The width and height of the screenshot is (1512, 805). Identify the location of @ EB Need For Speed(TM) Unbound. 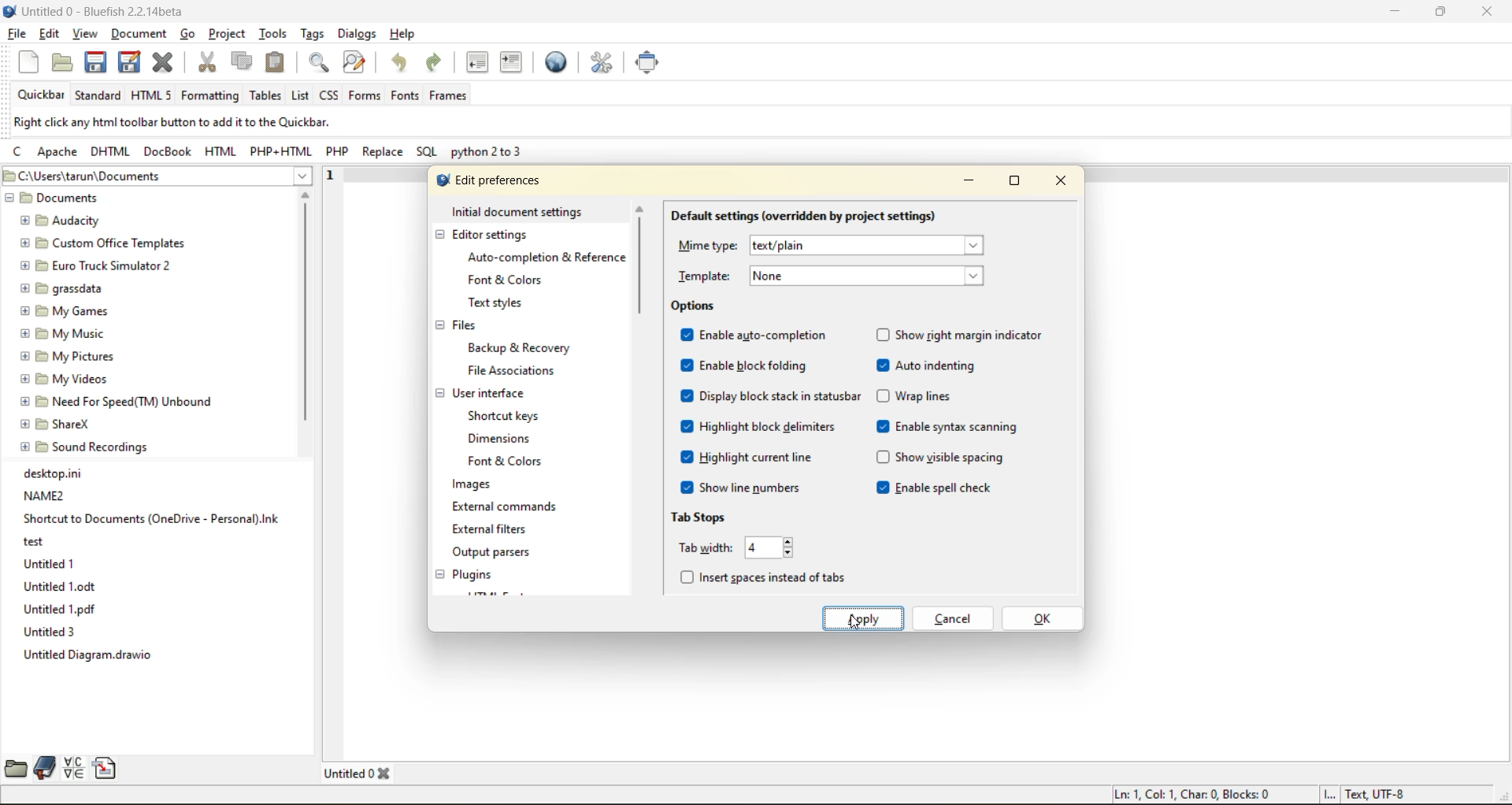
(119, 399).